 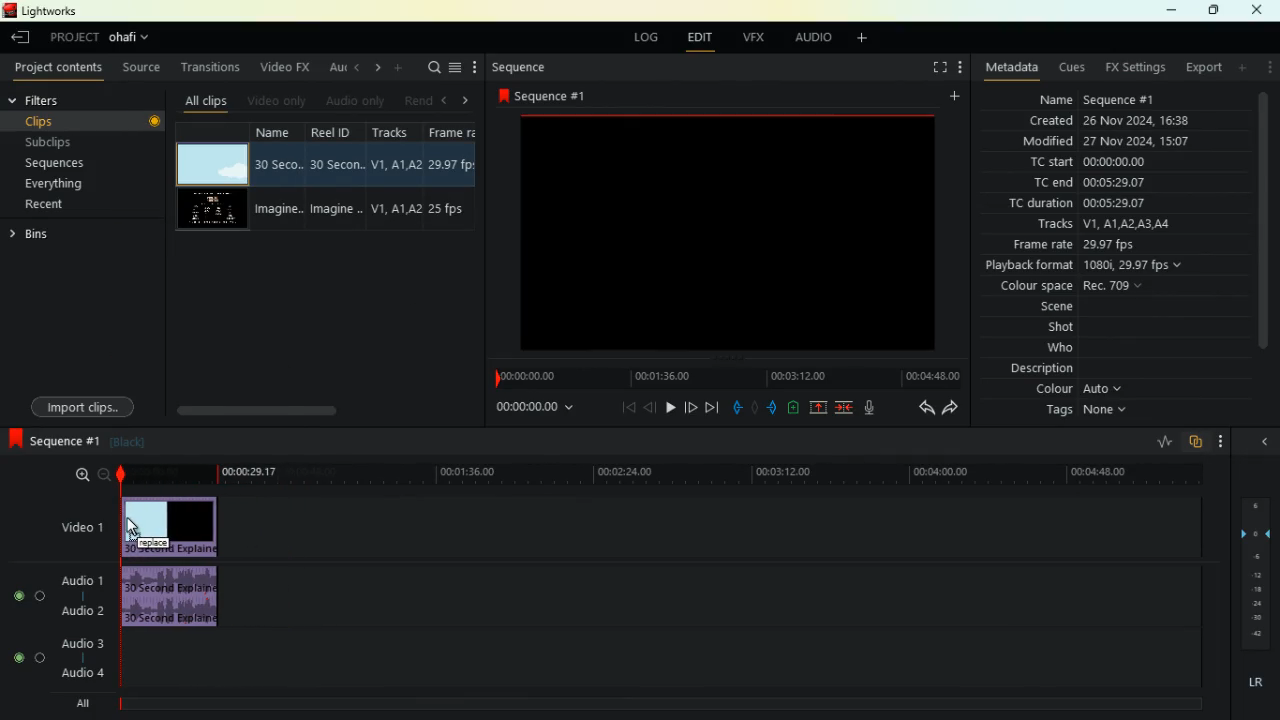 What do you see at coordinates (1254, 684) in the screenshot?
I see `lr` at bounding box center [1254, 684].